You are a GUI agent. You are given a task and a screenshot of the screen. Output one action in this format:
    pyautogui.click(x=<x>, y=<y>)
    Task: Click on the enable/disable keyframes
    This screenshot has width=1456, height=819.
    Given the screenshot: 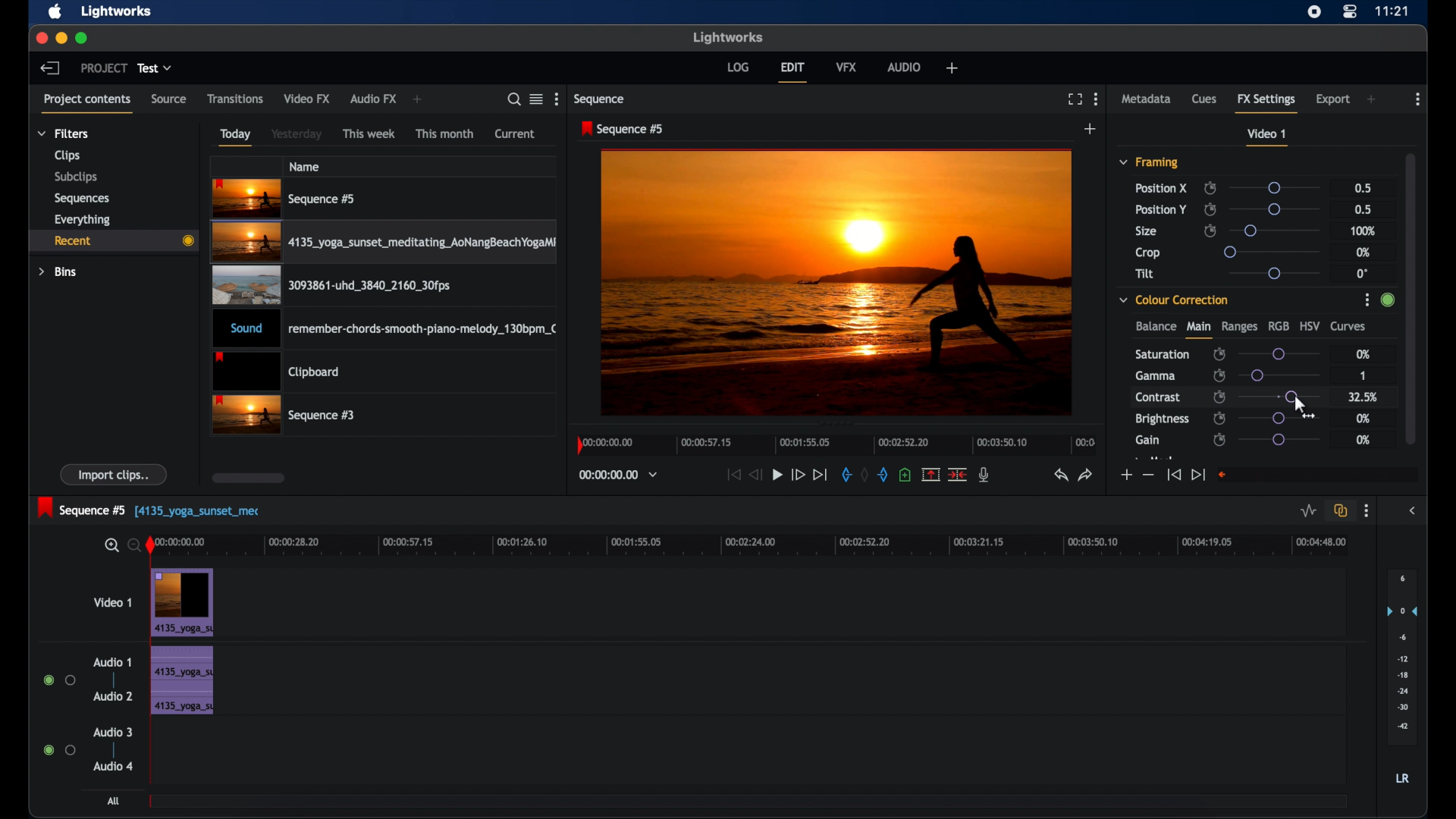 What is the action you would take?
    pyautogui.click(x=1210, y=209)
    